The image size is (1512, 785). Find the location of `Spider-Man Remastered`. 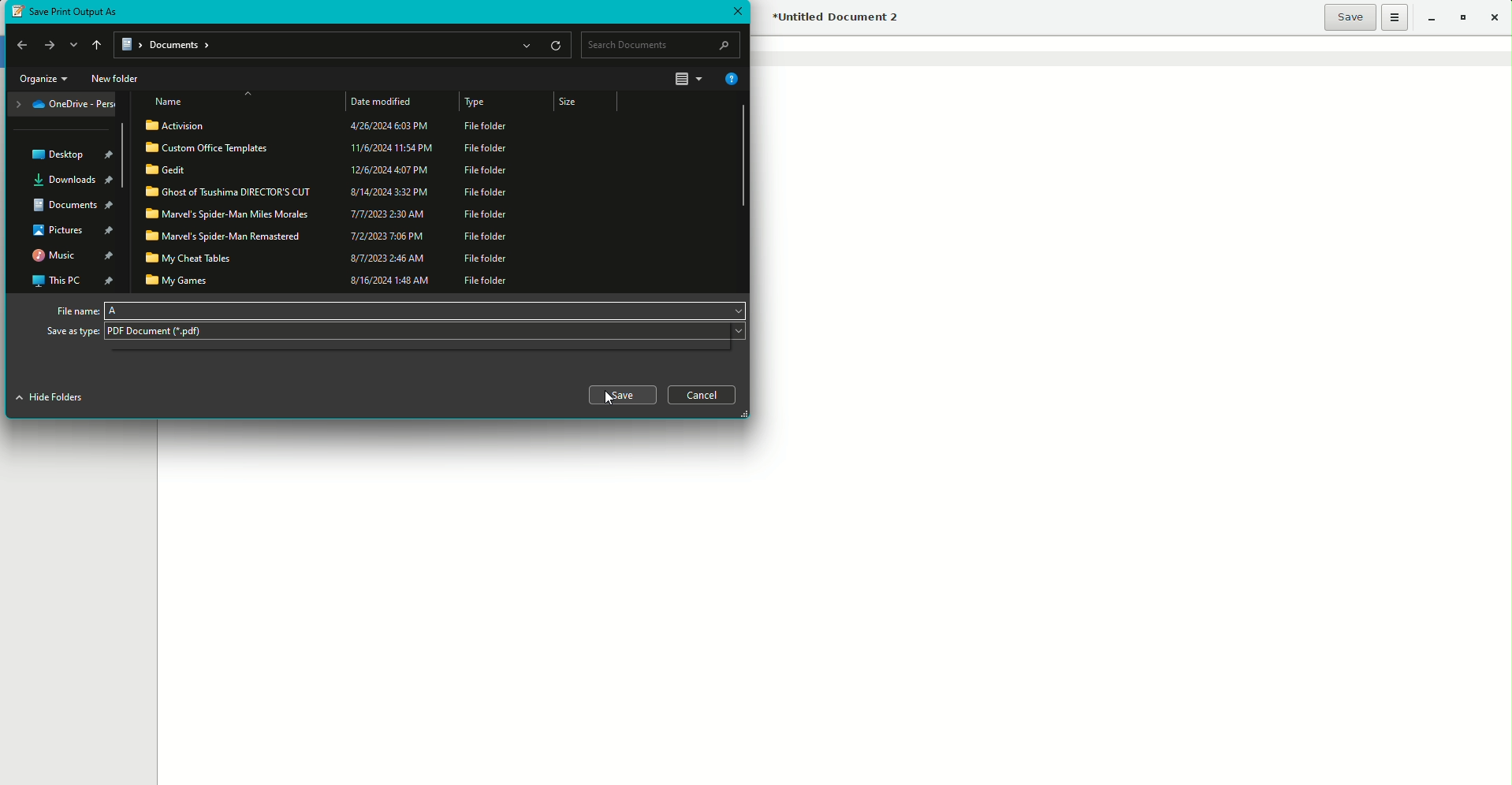

Spider-Man Remastered is located at coordinates (328, 235).